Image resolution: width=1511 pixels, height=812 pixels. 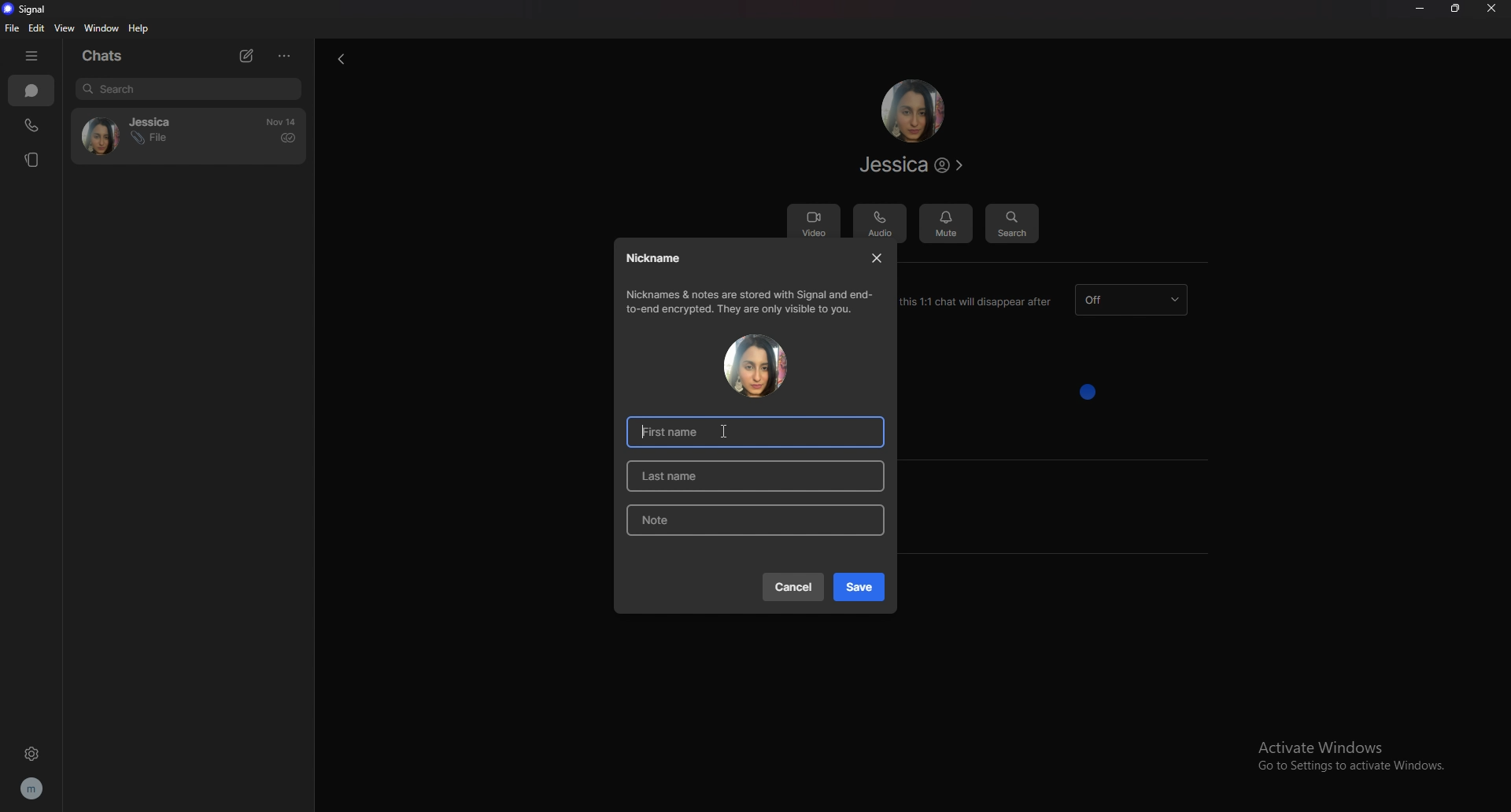 What do you see at coordinates (138, 29) in the screenshot?
I see `help` at bounding box center [138, 29].